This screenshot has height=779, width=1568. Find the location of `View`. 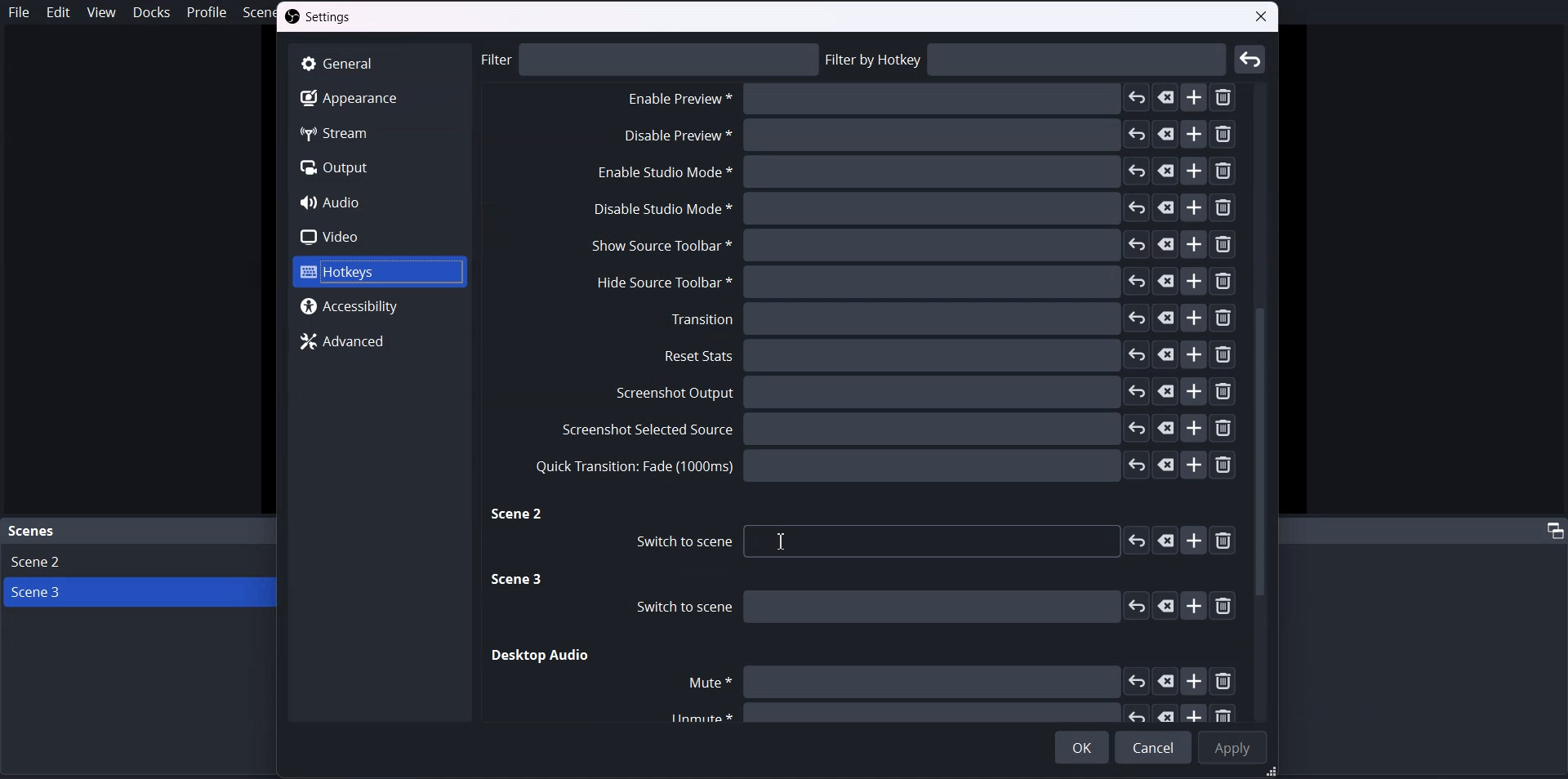

View is located at coordinates (100, 11).